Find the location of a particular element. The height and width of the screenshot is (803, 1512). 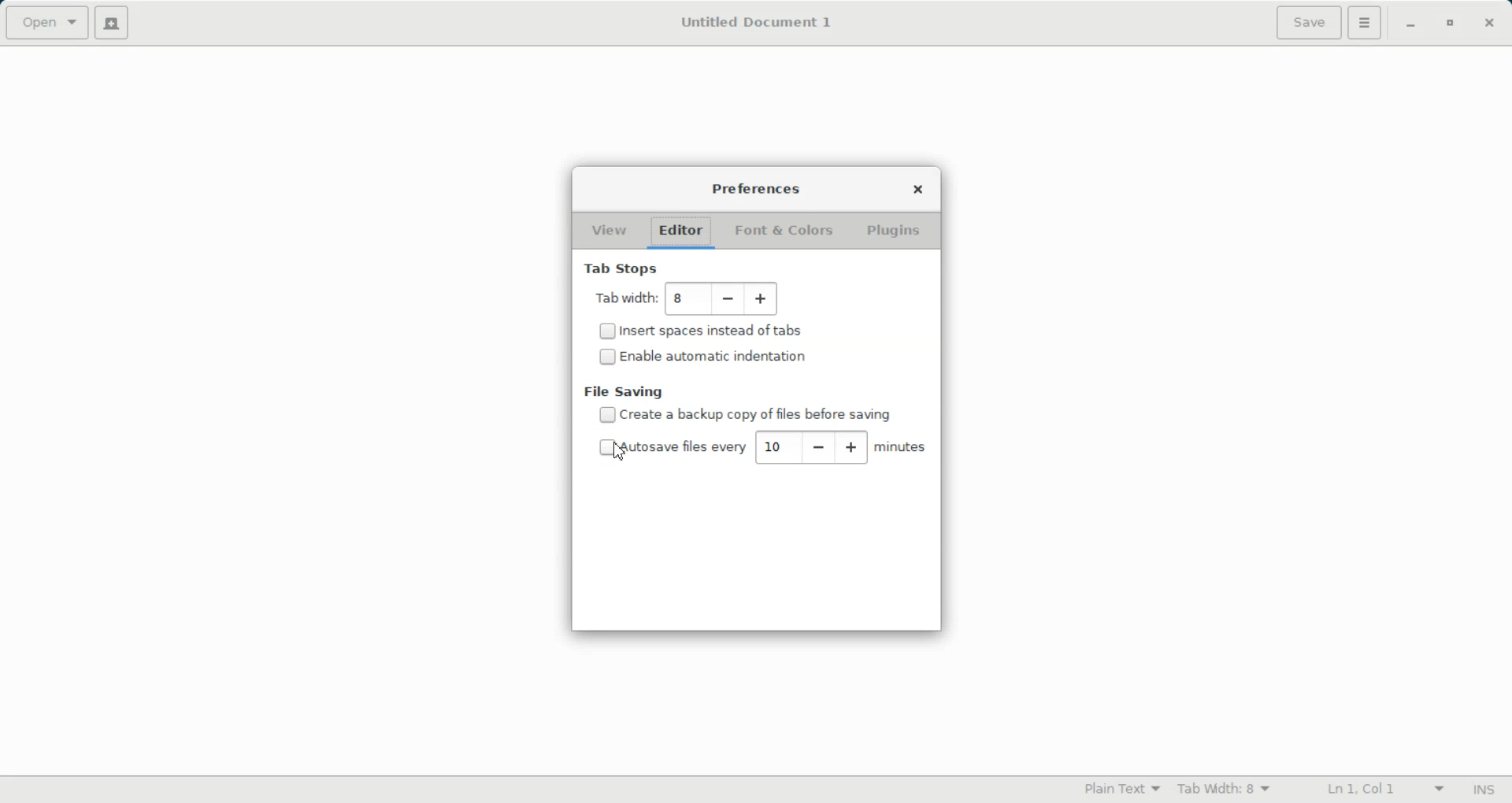

(un)check Disable Create a backup copy of files before saving is located at coordinates (744, 414).